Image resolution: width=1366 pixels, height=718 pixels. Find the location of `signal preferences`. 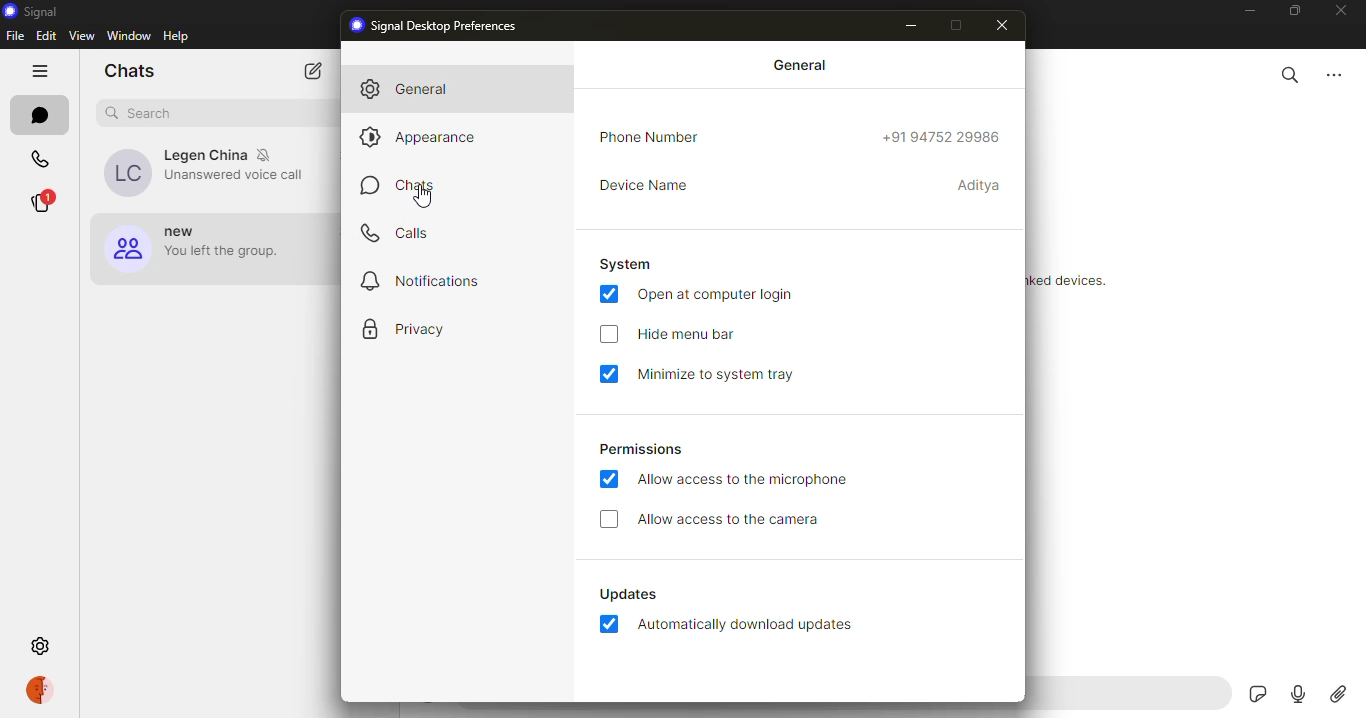

signal preferences is located at coordinates (438, 26).